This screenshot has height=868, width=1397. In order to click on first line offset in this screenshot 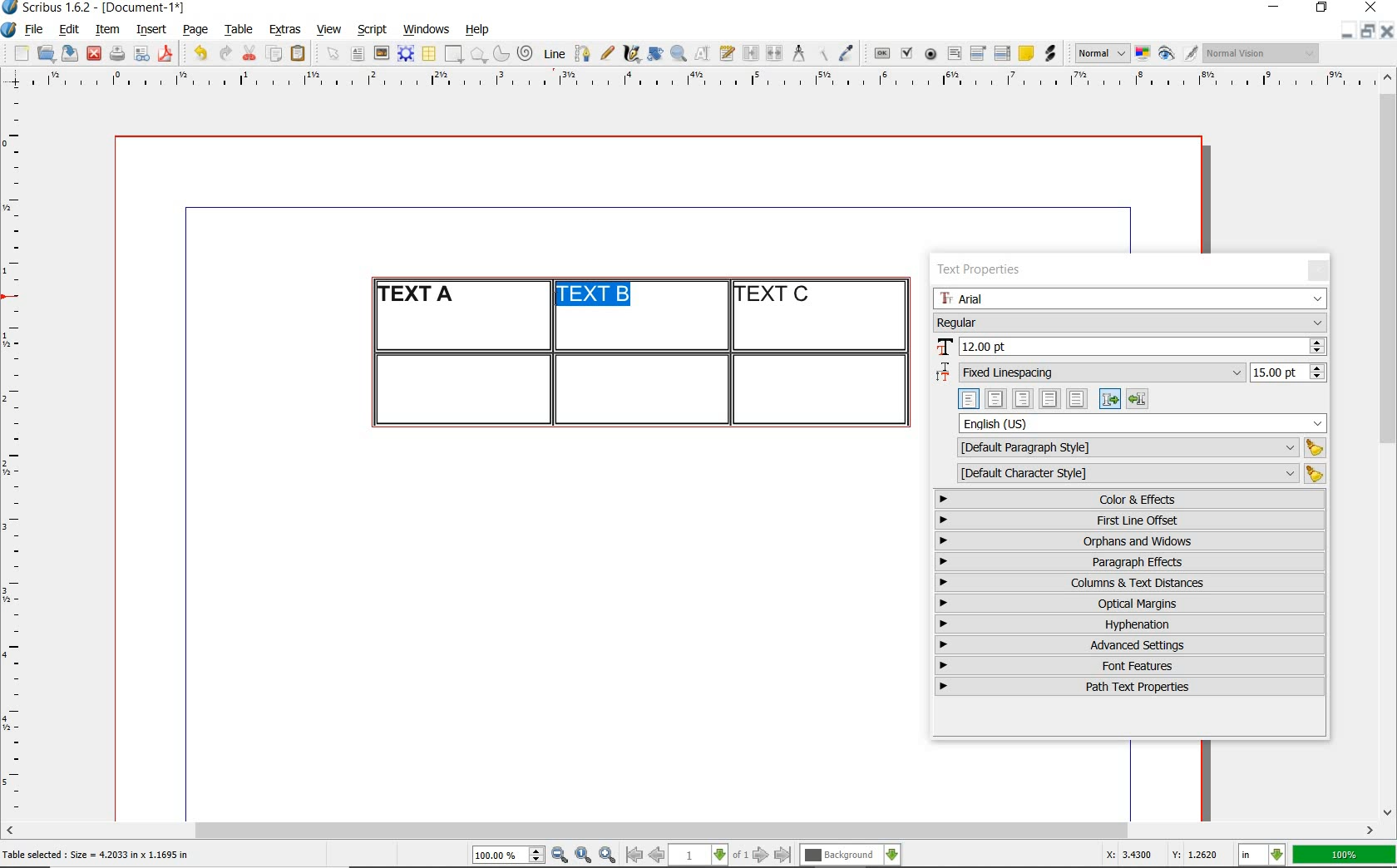, I will do `click(1131, 520)`.